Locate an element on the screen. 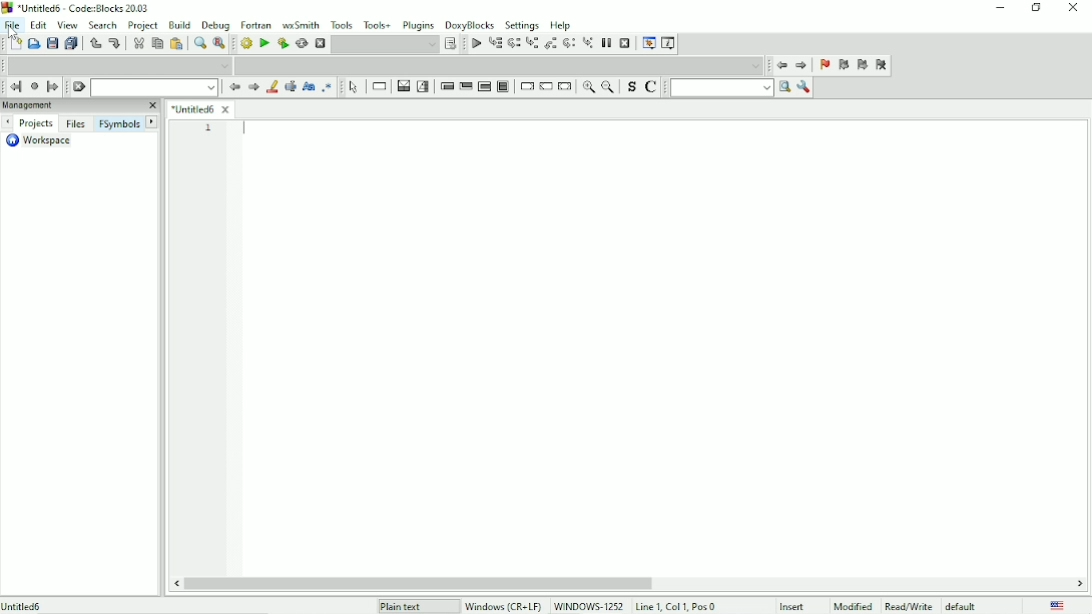  Selected text is located at coordinates (291, 87).